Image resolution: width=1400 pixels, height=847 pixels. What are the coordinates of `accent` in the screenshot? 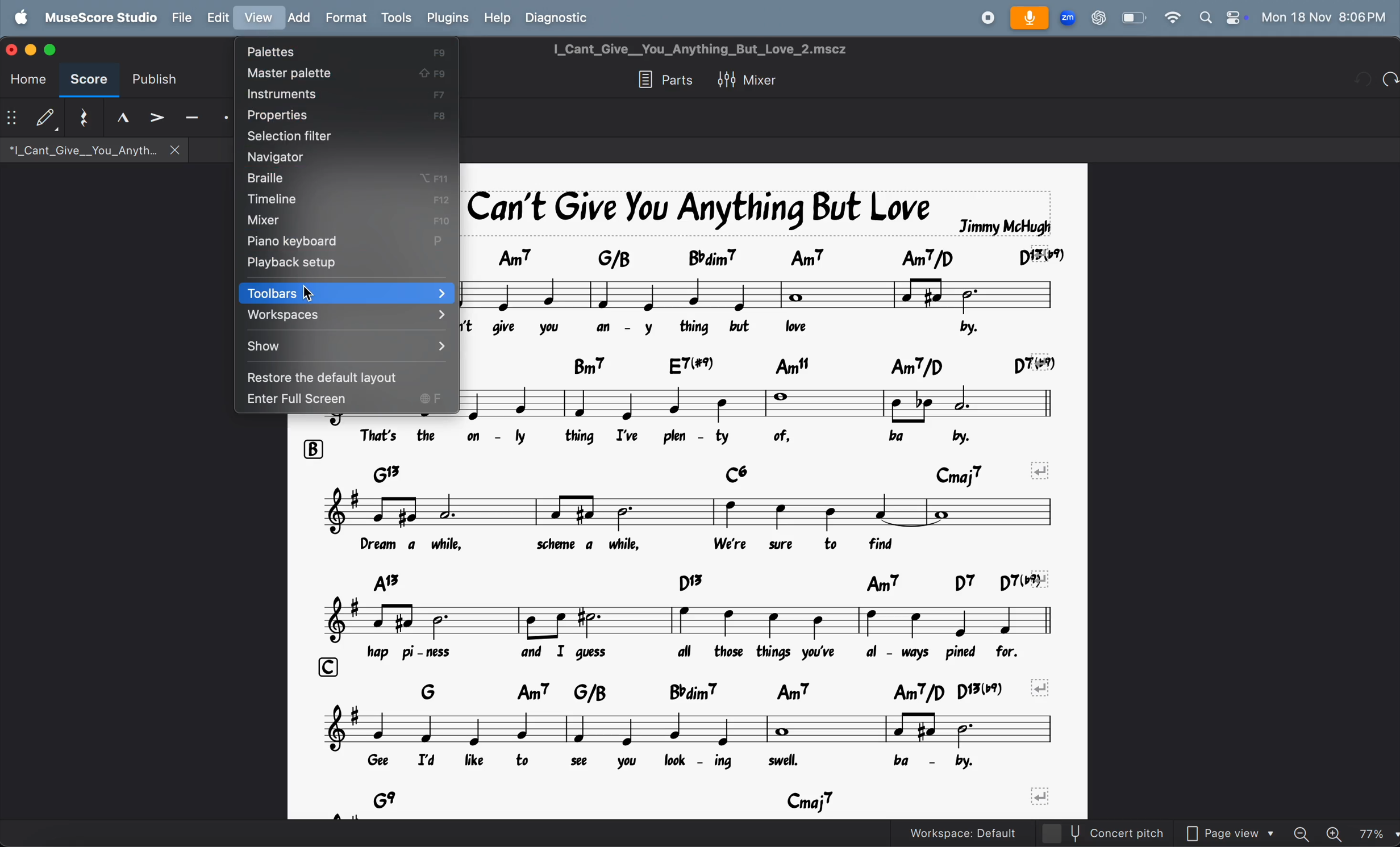 It's located at (158, 114).